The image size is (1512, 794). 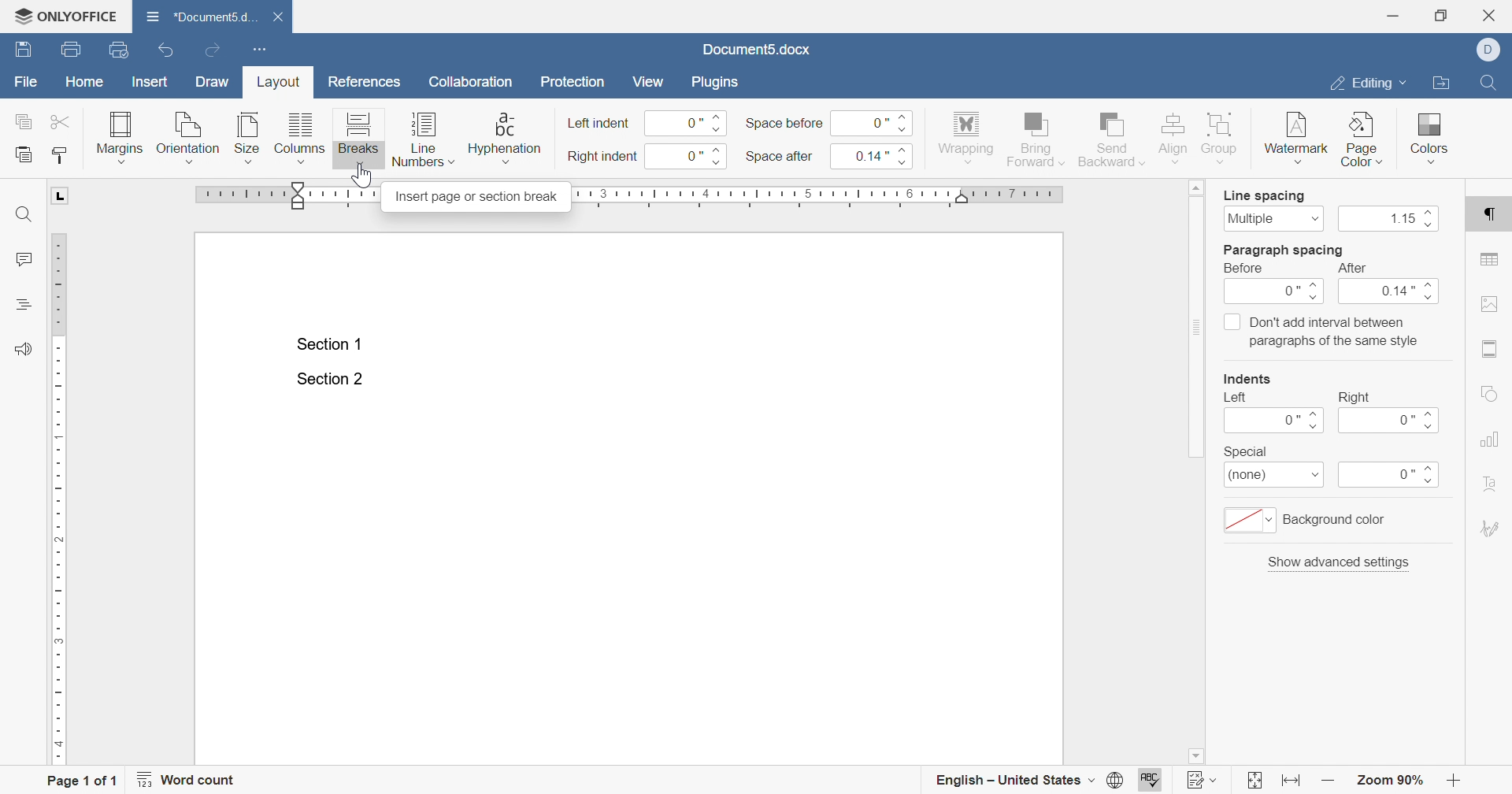 What do you see at coordinates (1273, 218) in the screenshot?
I see `multiple` at bounding box center [1273, 218].